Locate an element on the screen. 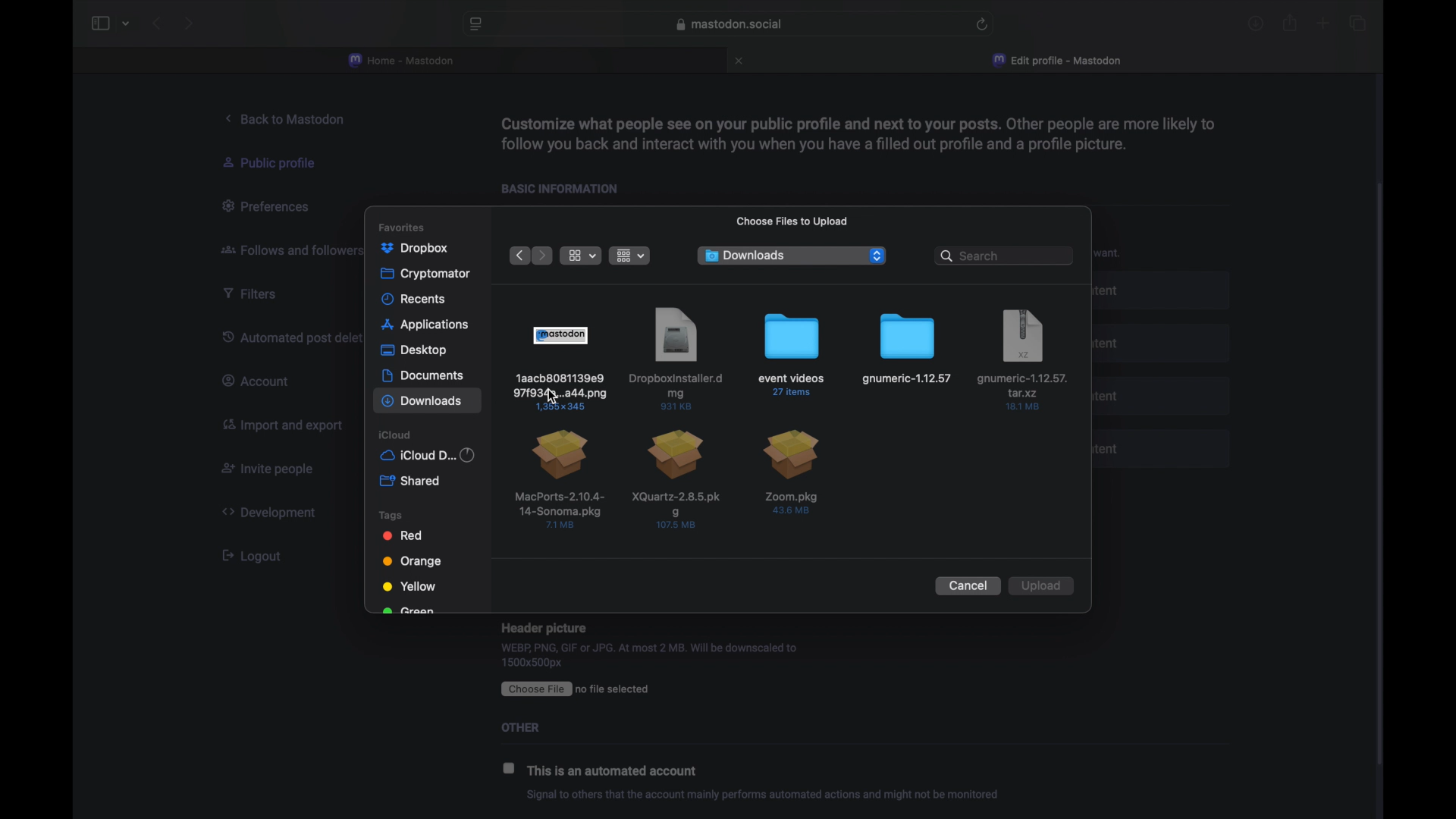 This screenshot has width=1456, height=819. green is located at coordinates (408, 611).